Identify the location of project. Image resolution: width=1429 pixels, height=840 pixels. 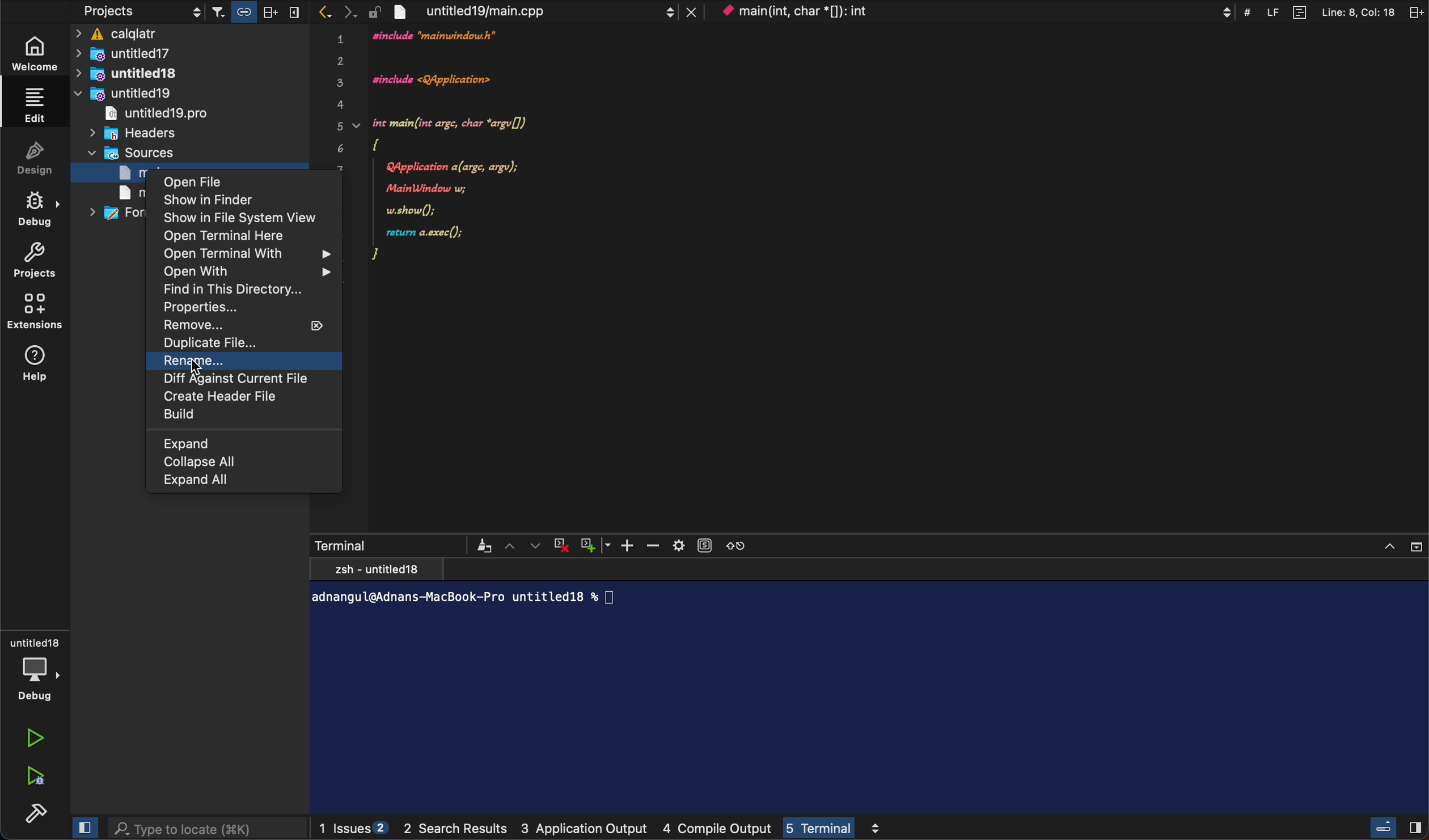
(41, 262).